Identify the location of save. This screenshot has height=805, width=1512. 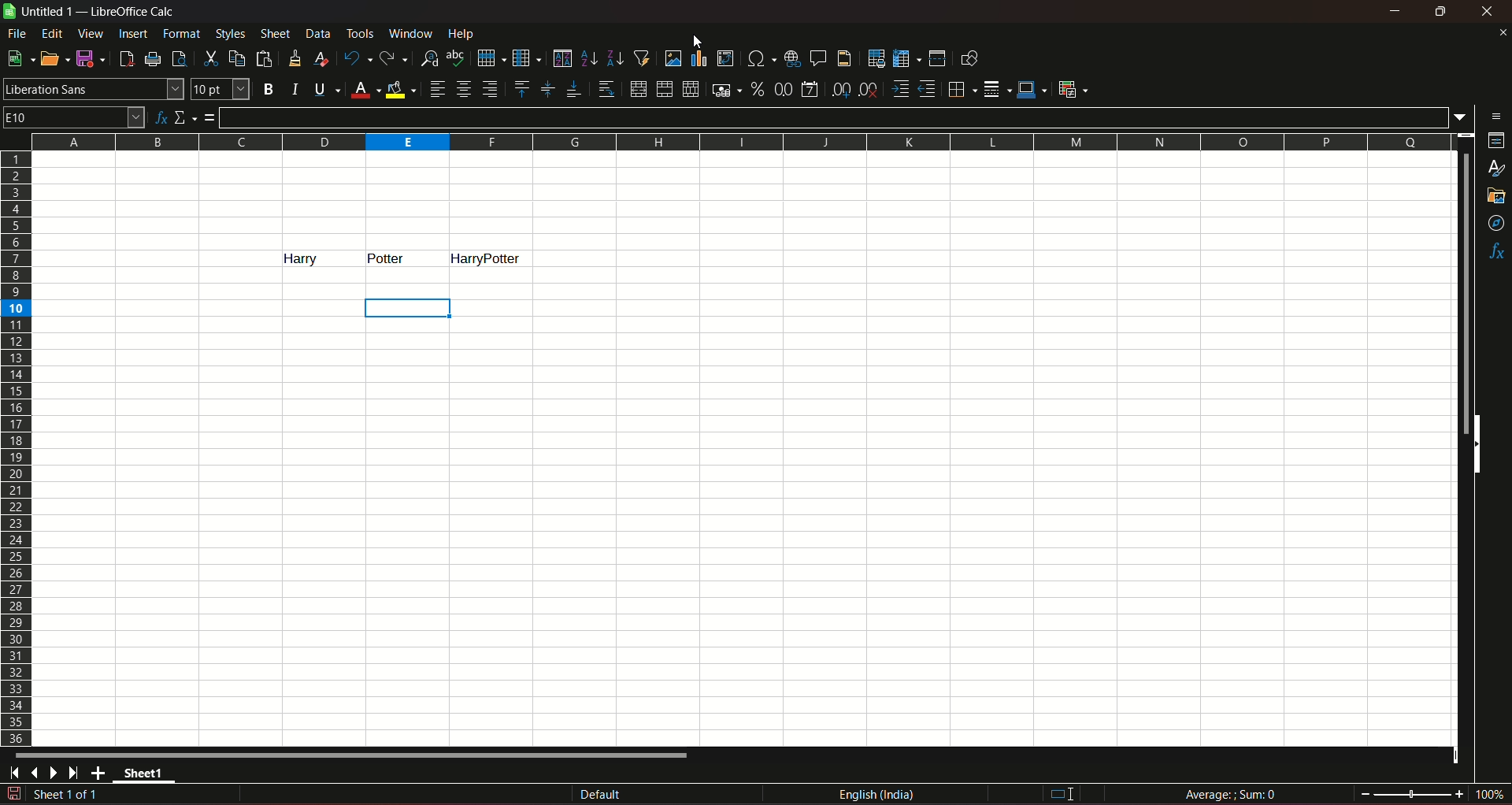
(87, 57).